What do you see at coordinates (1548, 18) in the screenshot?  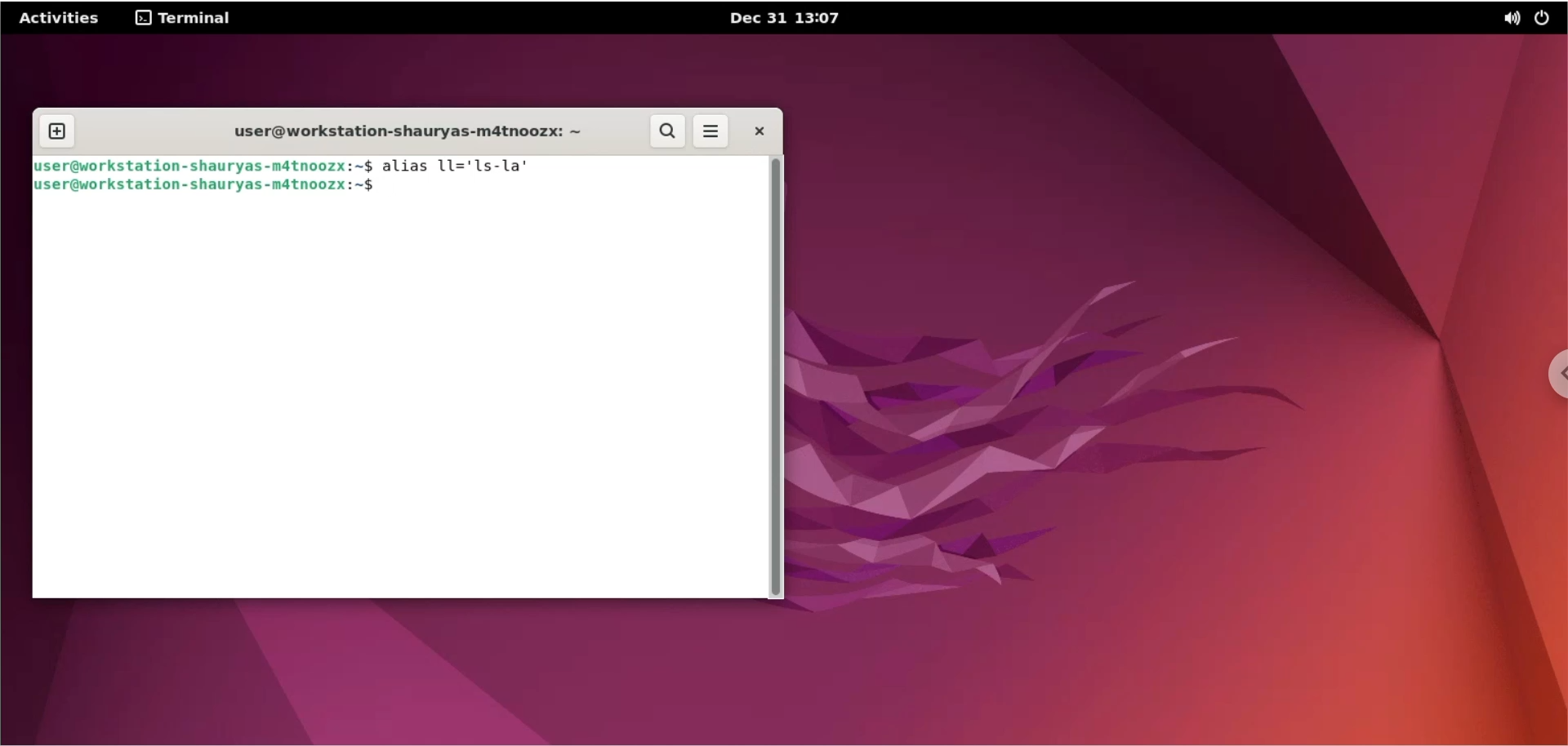 I see `power options` at bounding box center [1548, 18].